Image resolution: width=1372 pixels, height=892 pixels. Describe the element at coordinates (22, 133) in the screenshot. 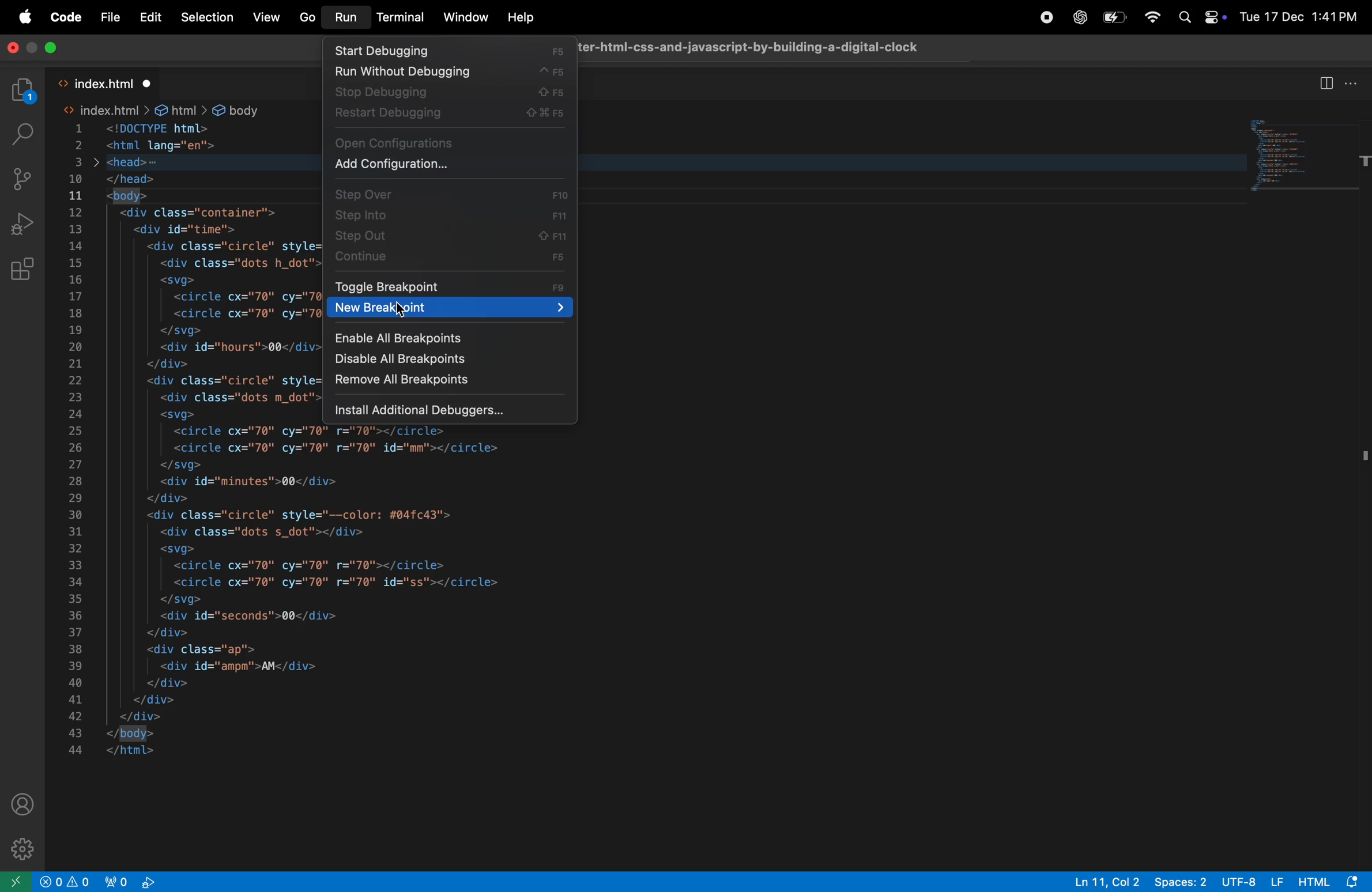

I see `search` at that location.